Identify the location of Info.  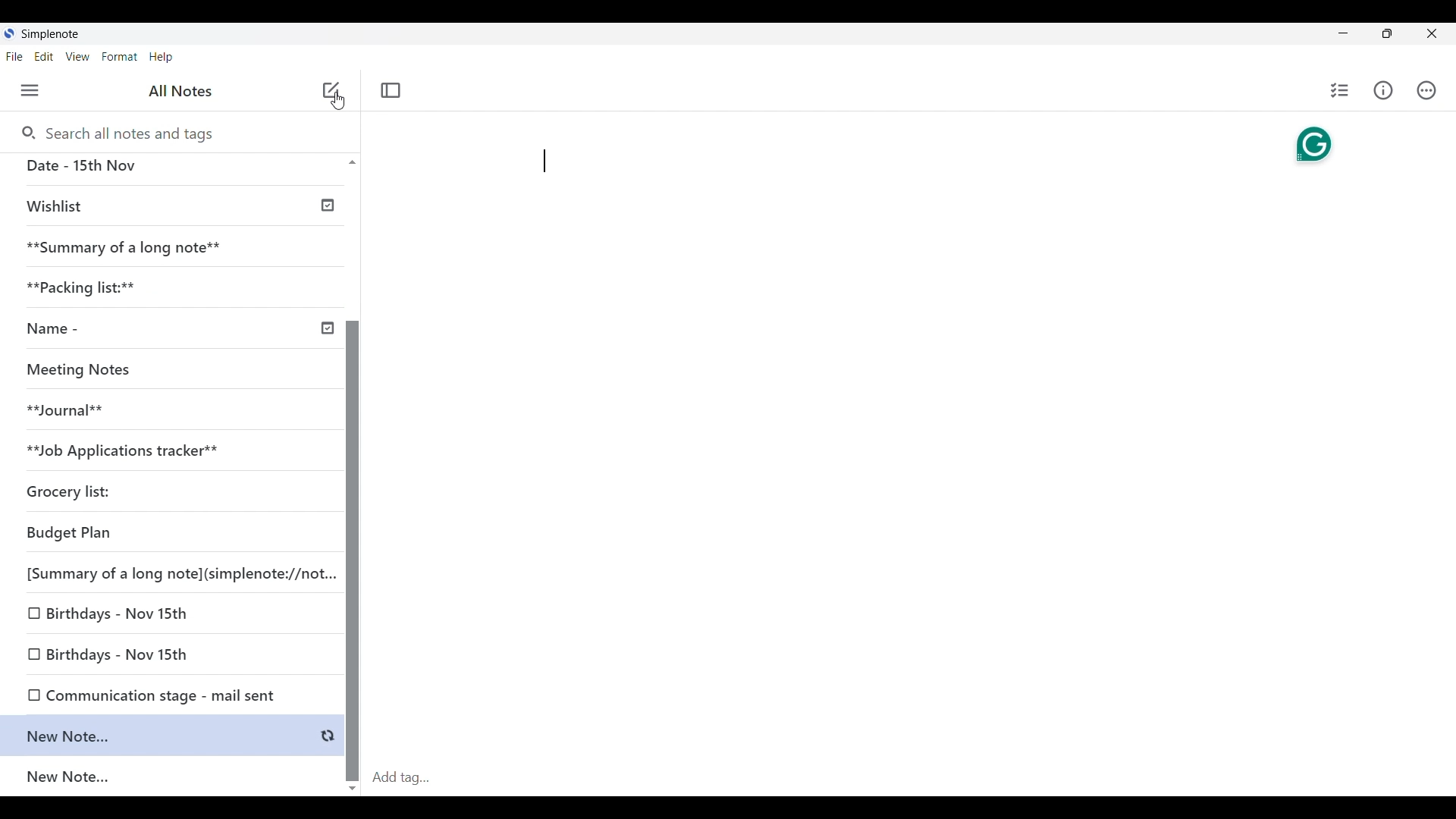
(1383, 90).